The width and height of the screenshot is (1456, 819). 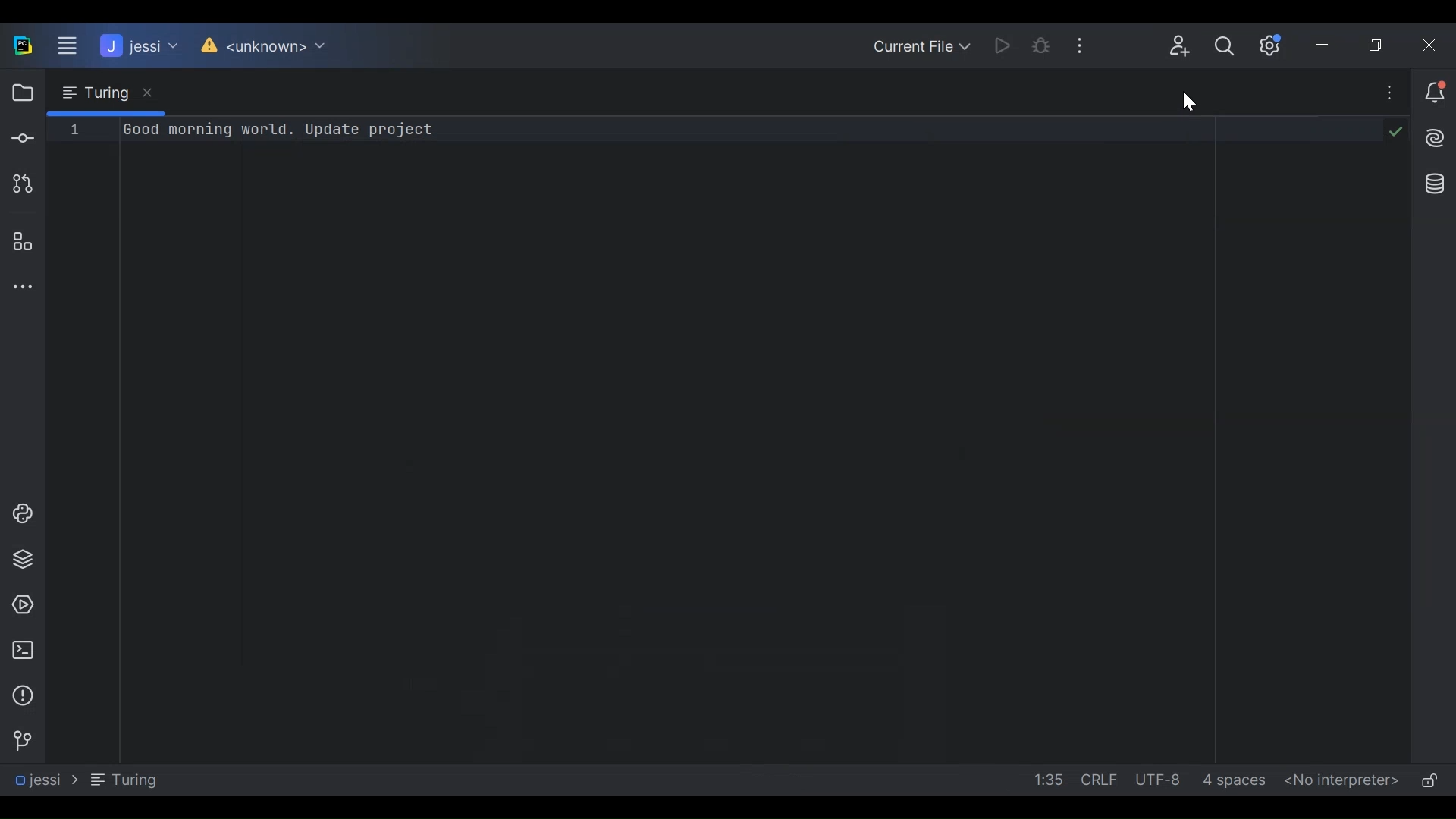 I want to click on Close, so click(x=1434, y=45).